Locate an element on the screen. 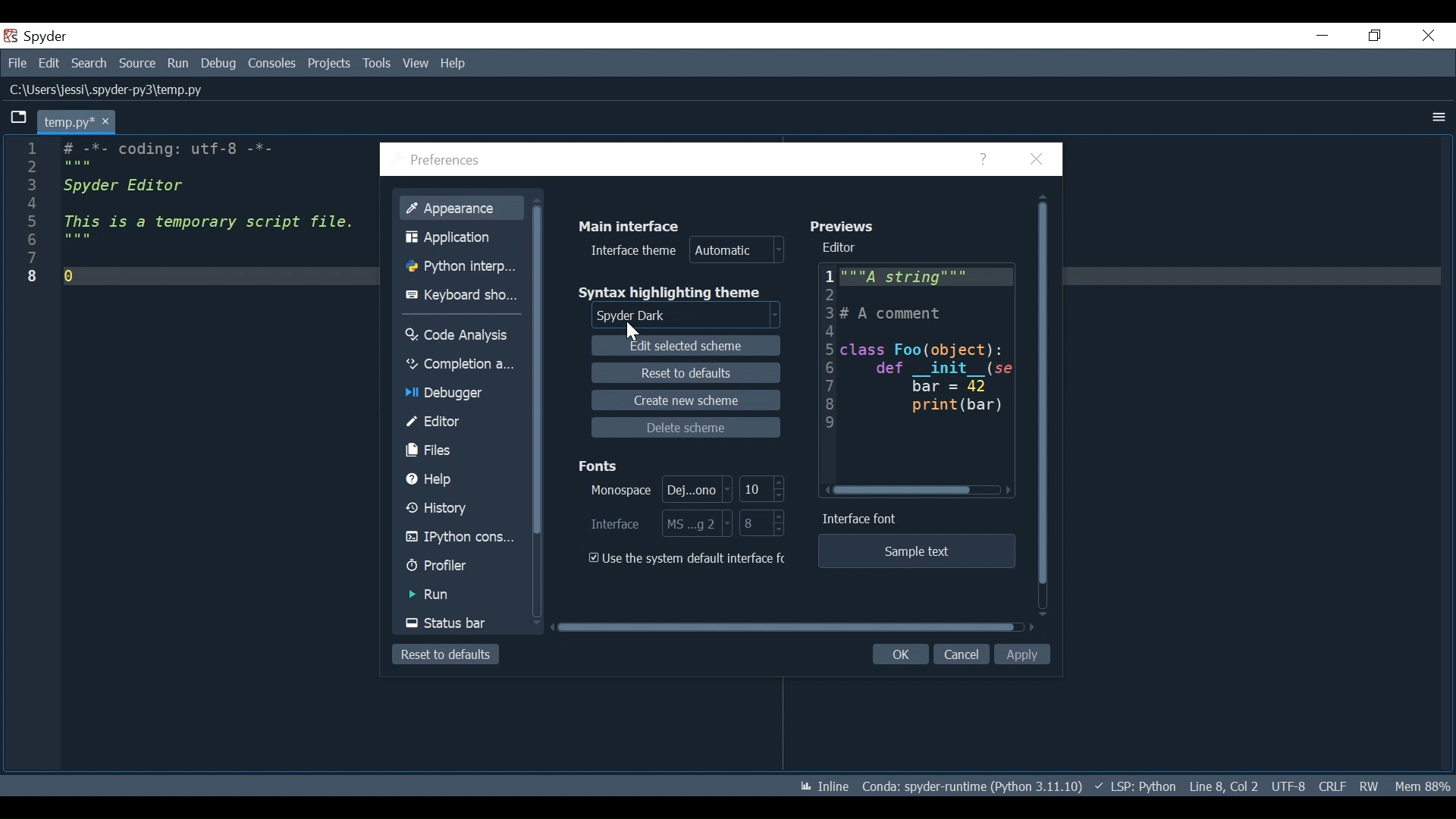  Keyboard Shortcuts is located at coordinates (459, 296).